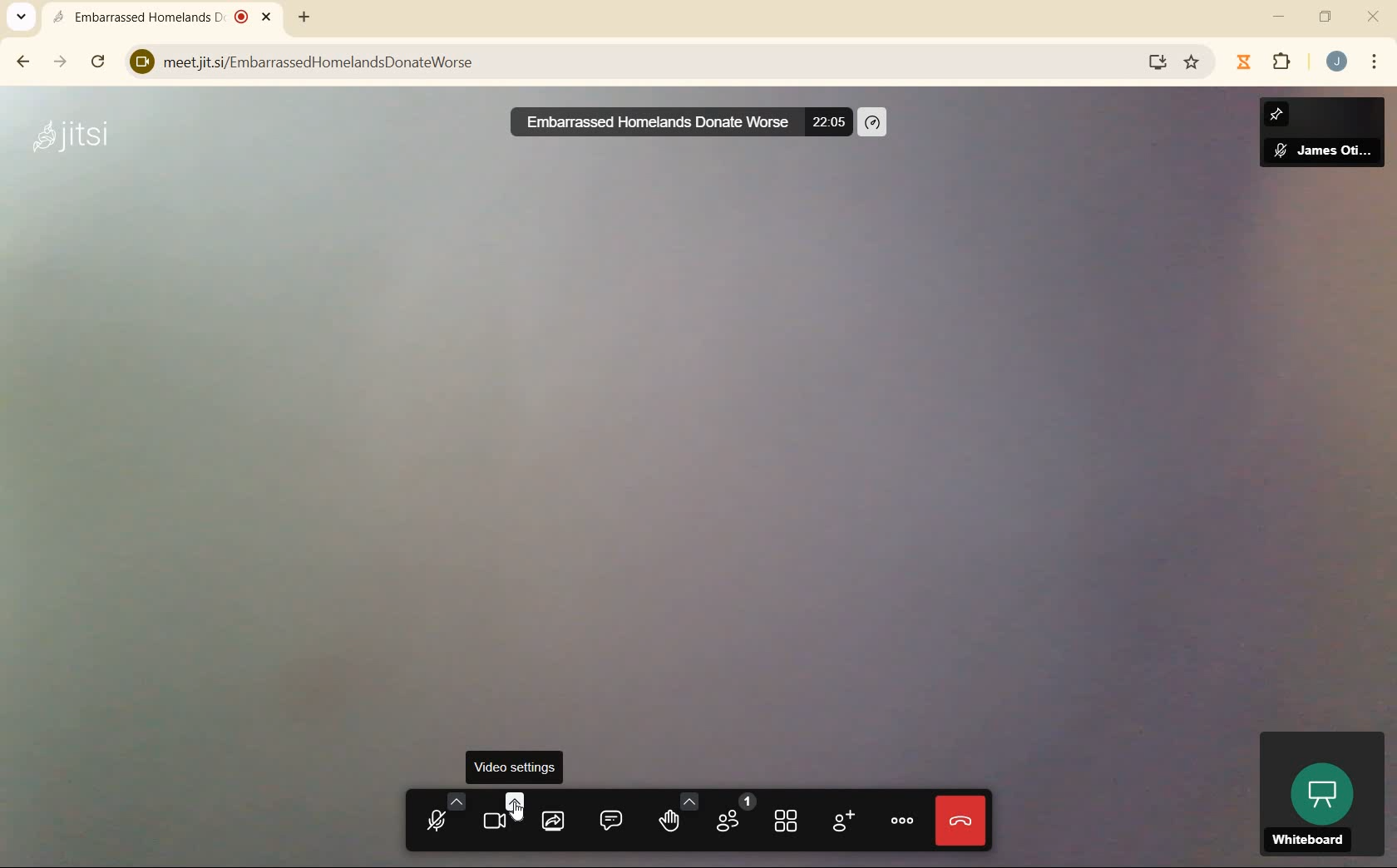 The height and width of the screenshot is (868, 1397). Describe the element at coordinates (610, 818) in the screenshot. I see `open chat` at that location.